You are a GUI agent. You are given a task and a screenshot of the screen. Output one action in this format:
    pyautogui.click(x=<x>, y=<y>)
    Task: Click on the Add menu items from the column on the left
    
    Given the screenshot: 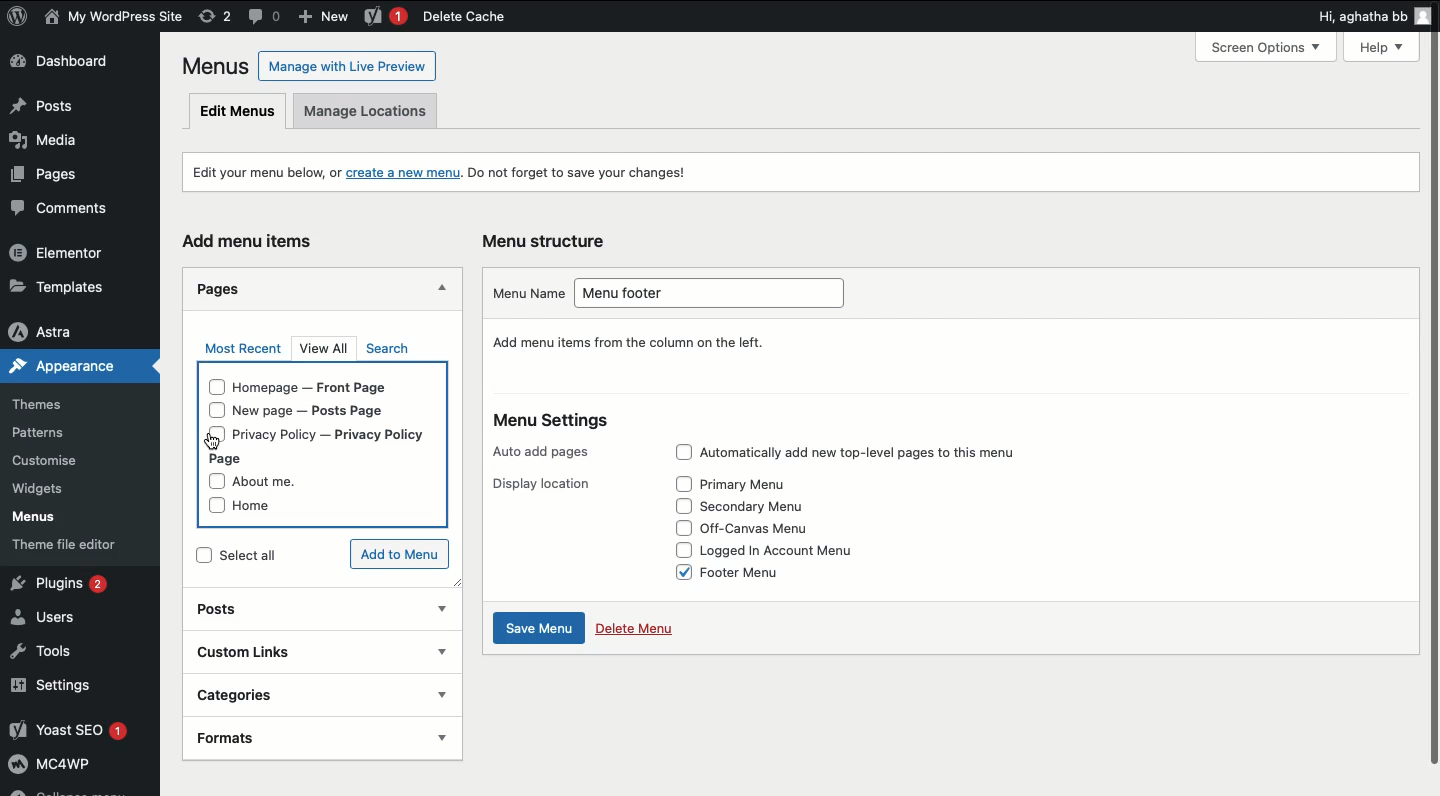 What is the action you would take?
    pyautogui.click(x=630, y=344)
    